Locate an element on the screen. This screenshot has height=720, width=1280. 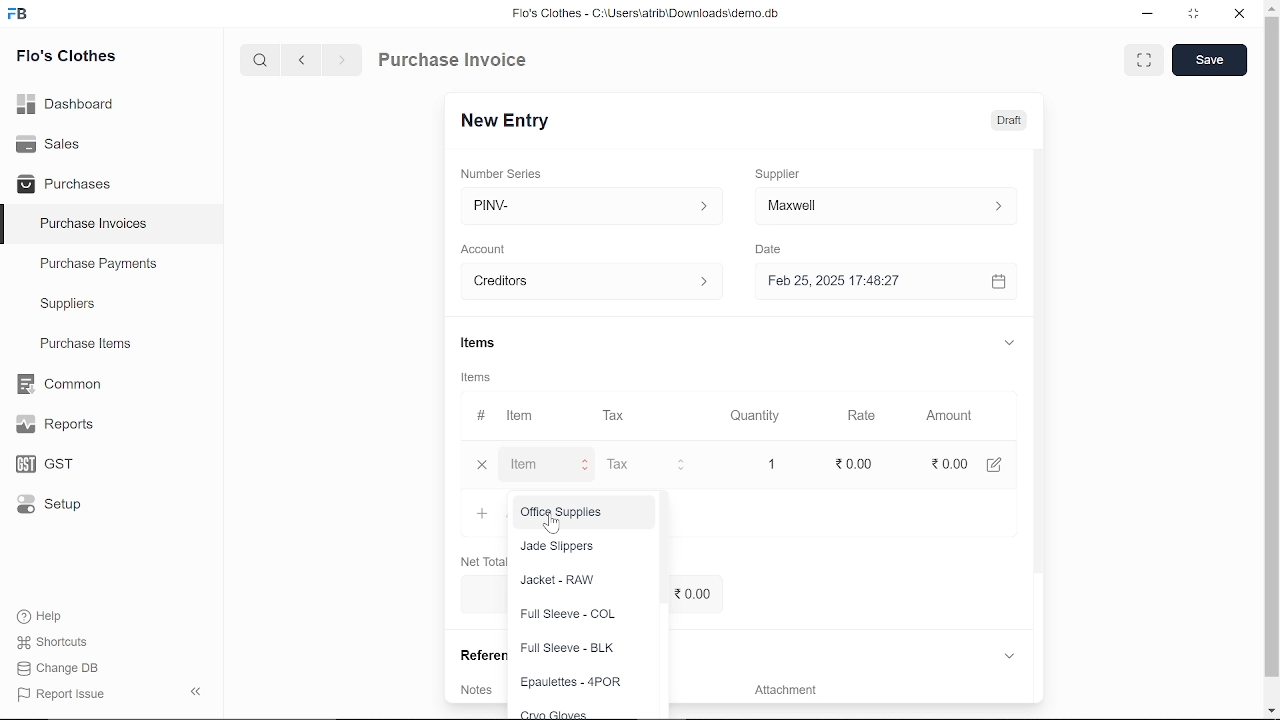
Jacket - RAW is located at coordinates (578, 580).